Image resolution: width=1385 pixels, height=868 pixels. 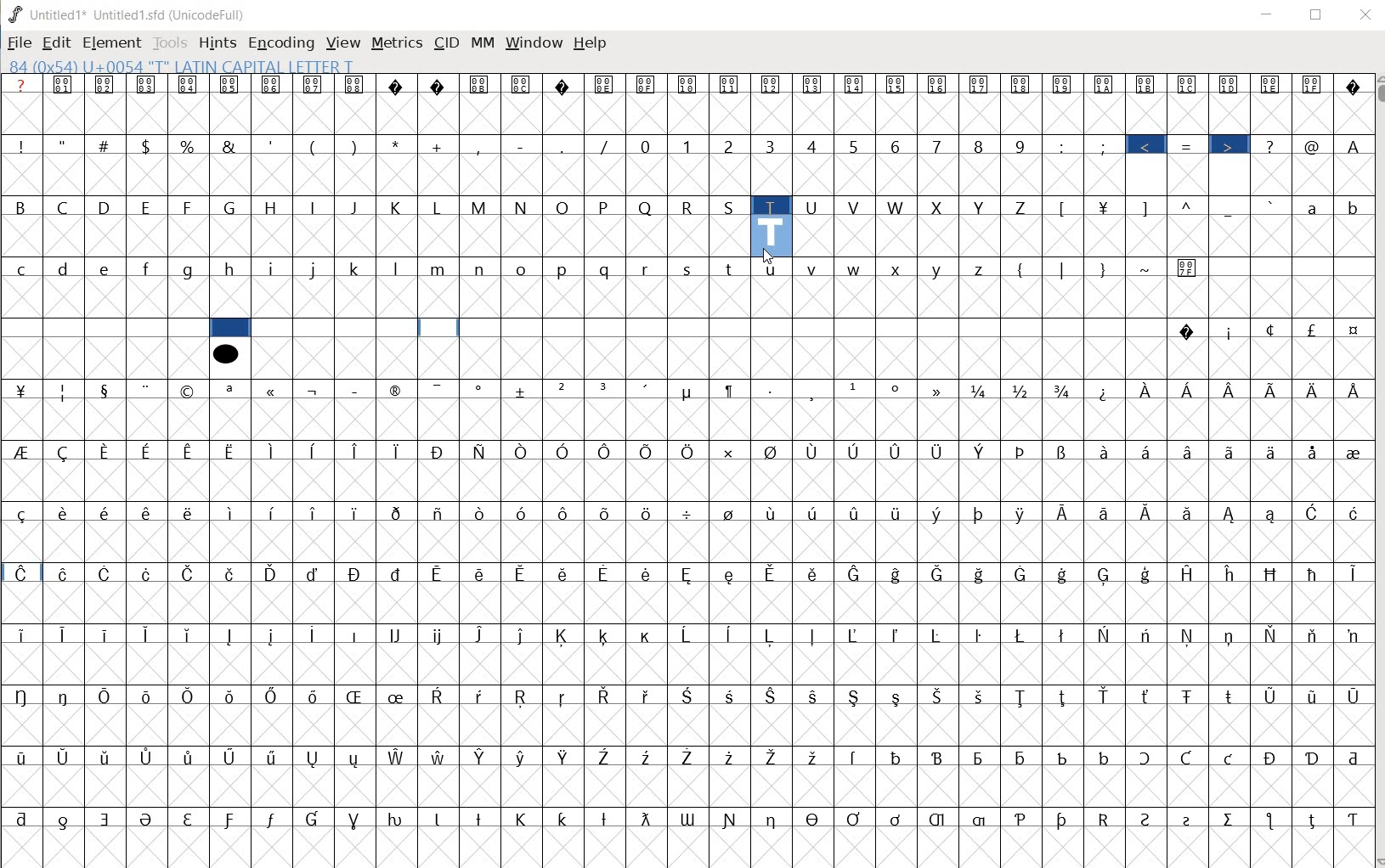 I want to click on , so click(x=981, y=817).